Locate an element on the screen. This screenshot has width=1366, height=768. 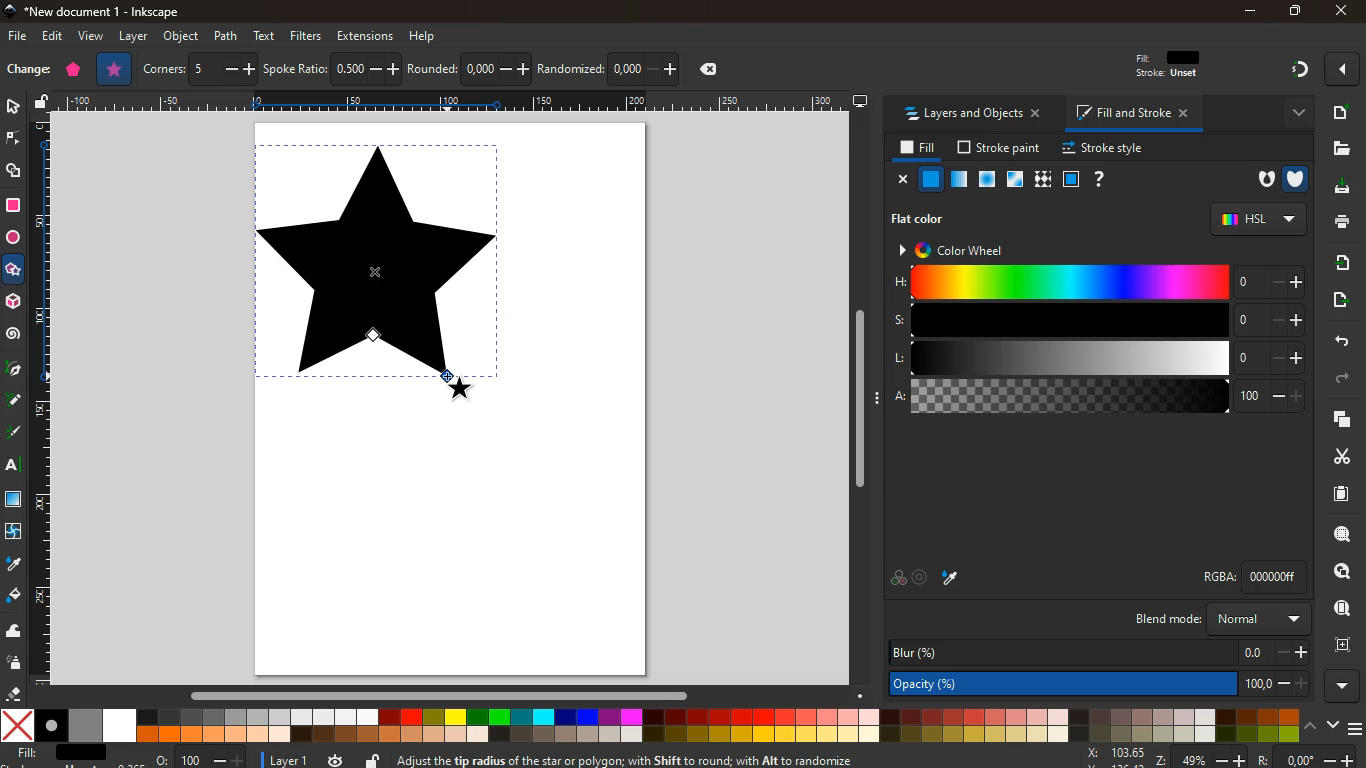
o is located at coordinates (201, 759).